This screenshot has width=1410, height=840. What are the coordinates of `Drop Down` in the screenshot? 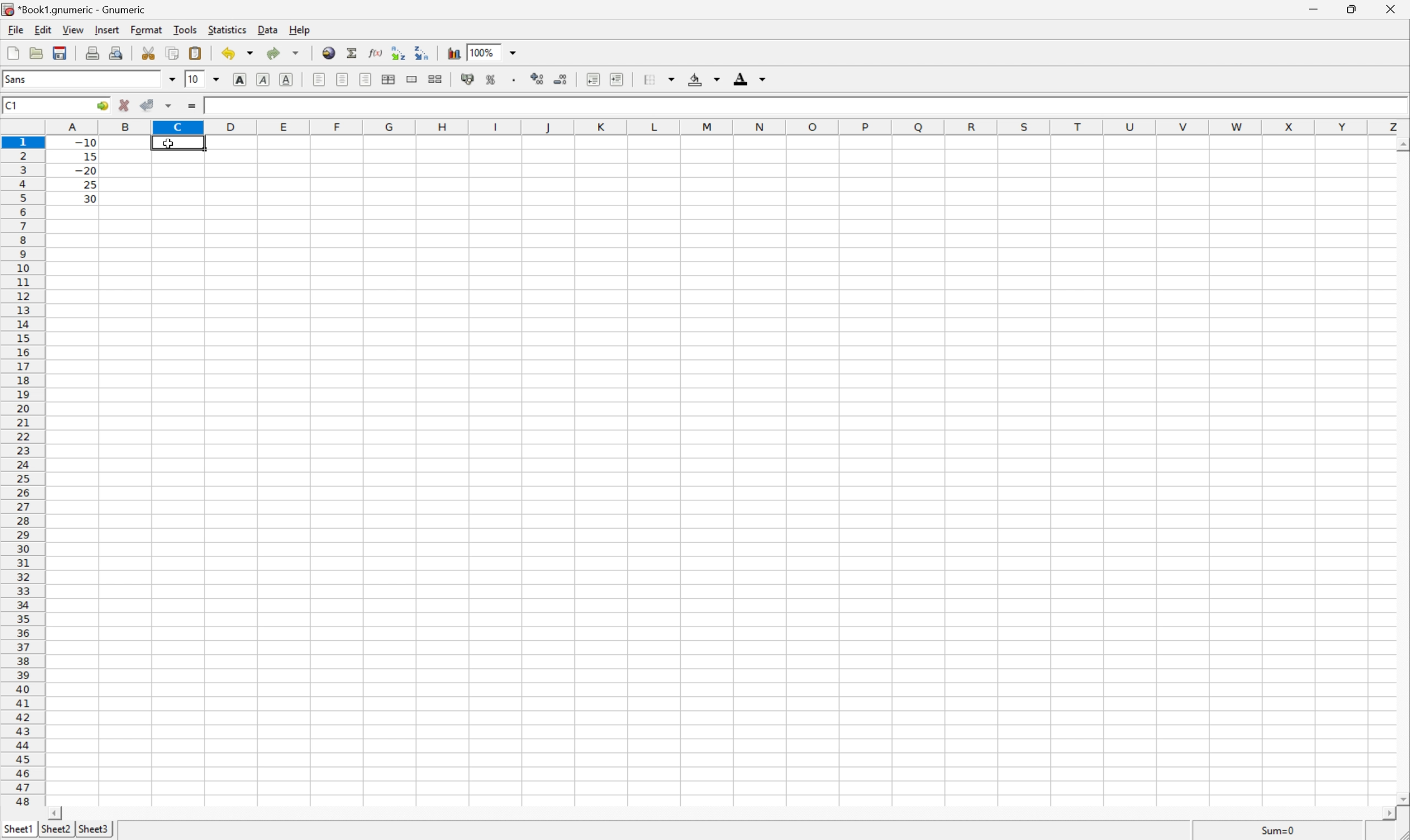 It's located at (716, 80).